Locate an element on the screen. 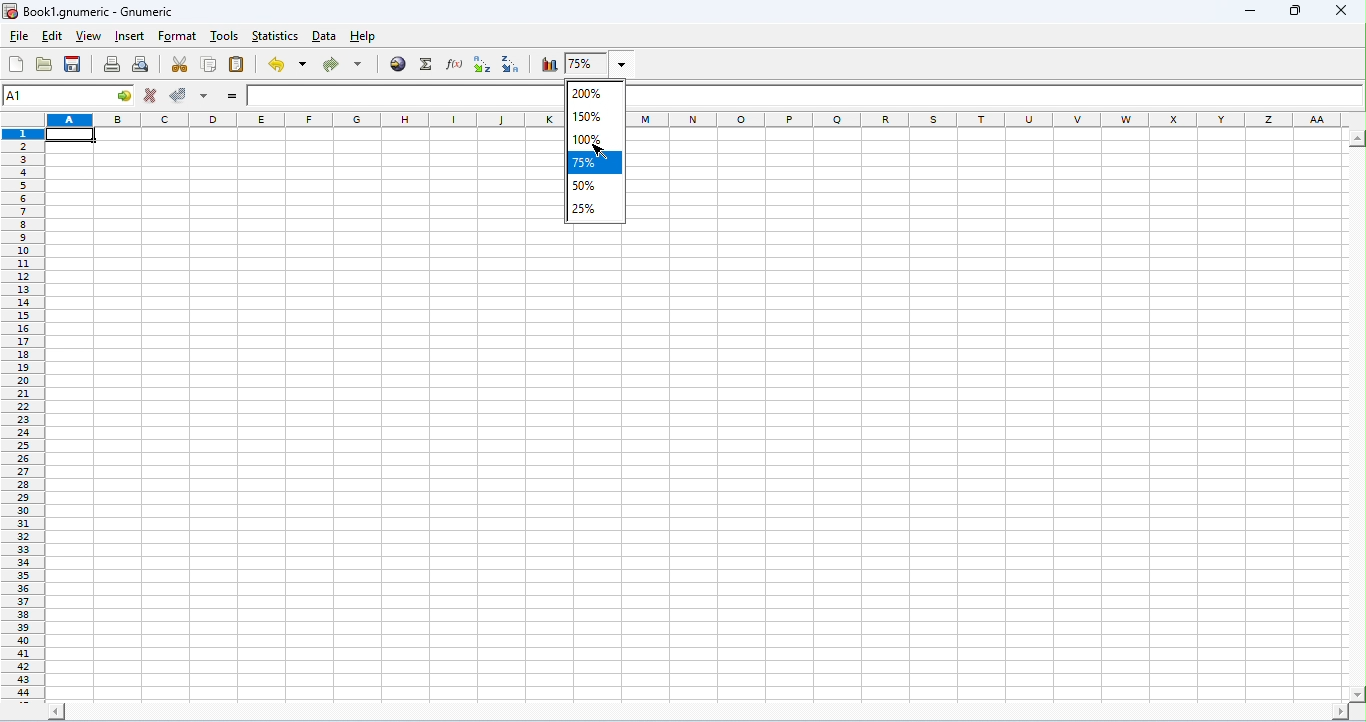  accept multiple changes is located at coordinates (205, 97).